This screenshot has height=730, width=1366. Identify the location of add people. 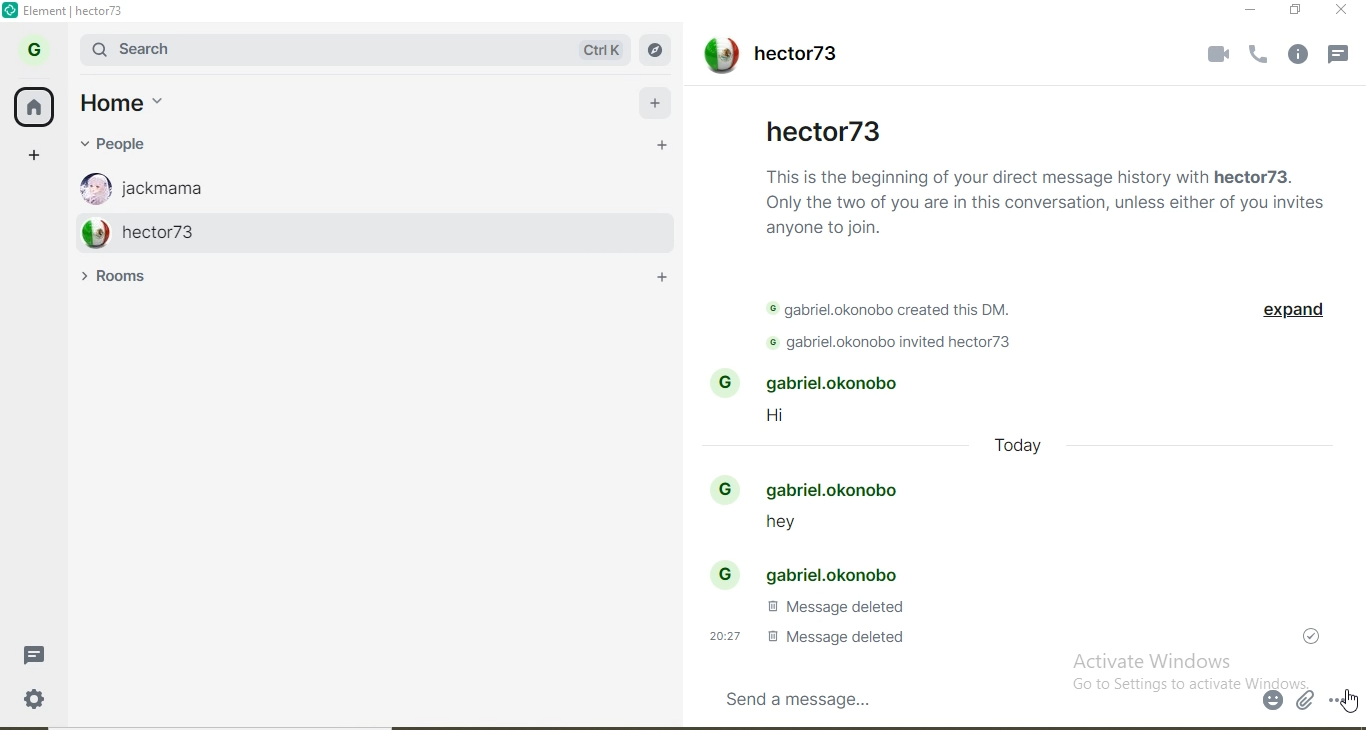
(662, 147).